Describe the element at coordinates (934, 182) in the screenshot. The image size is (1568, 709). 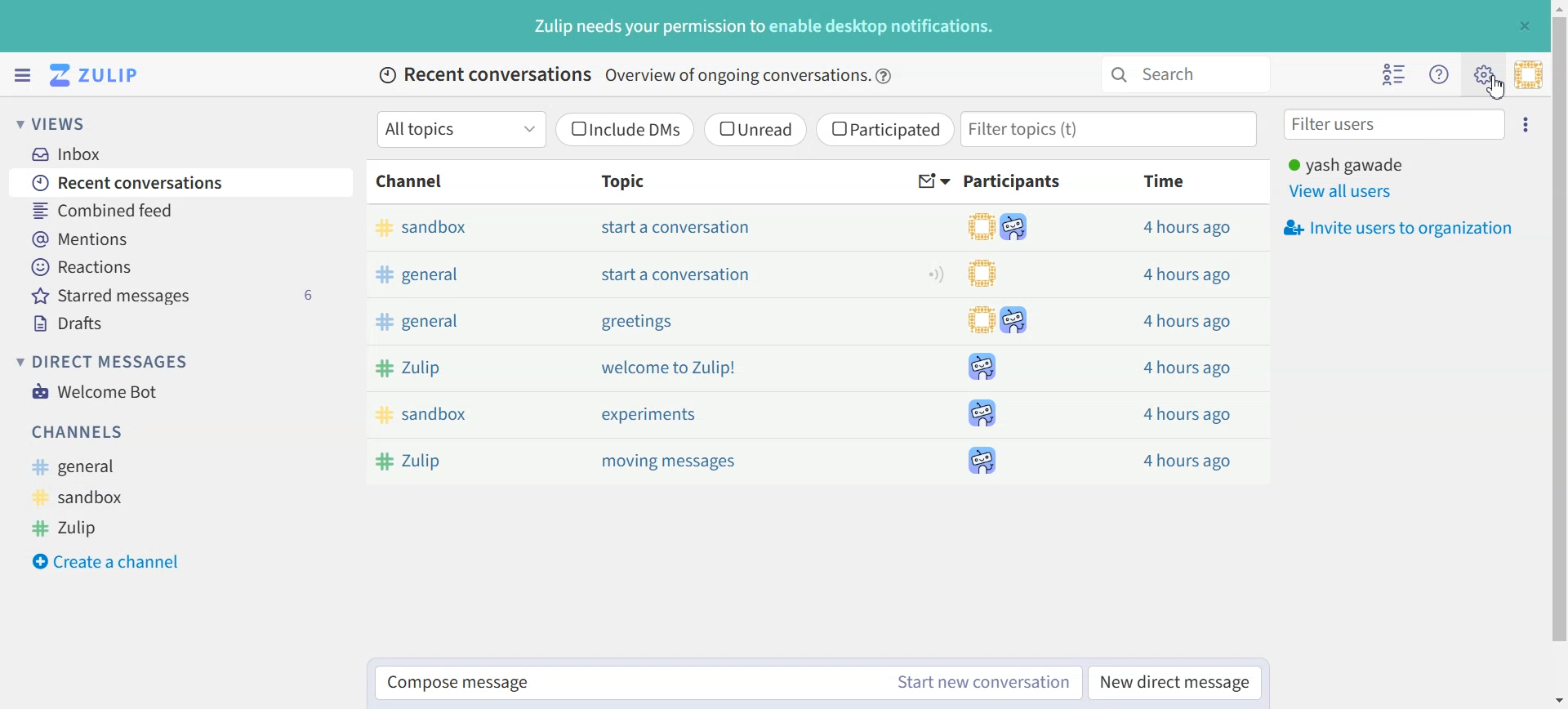
I see `Sort by unread message count` at that location.